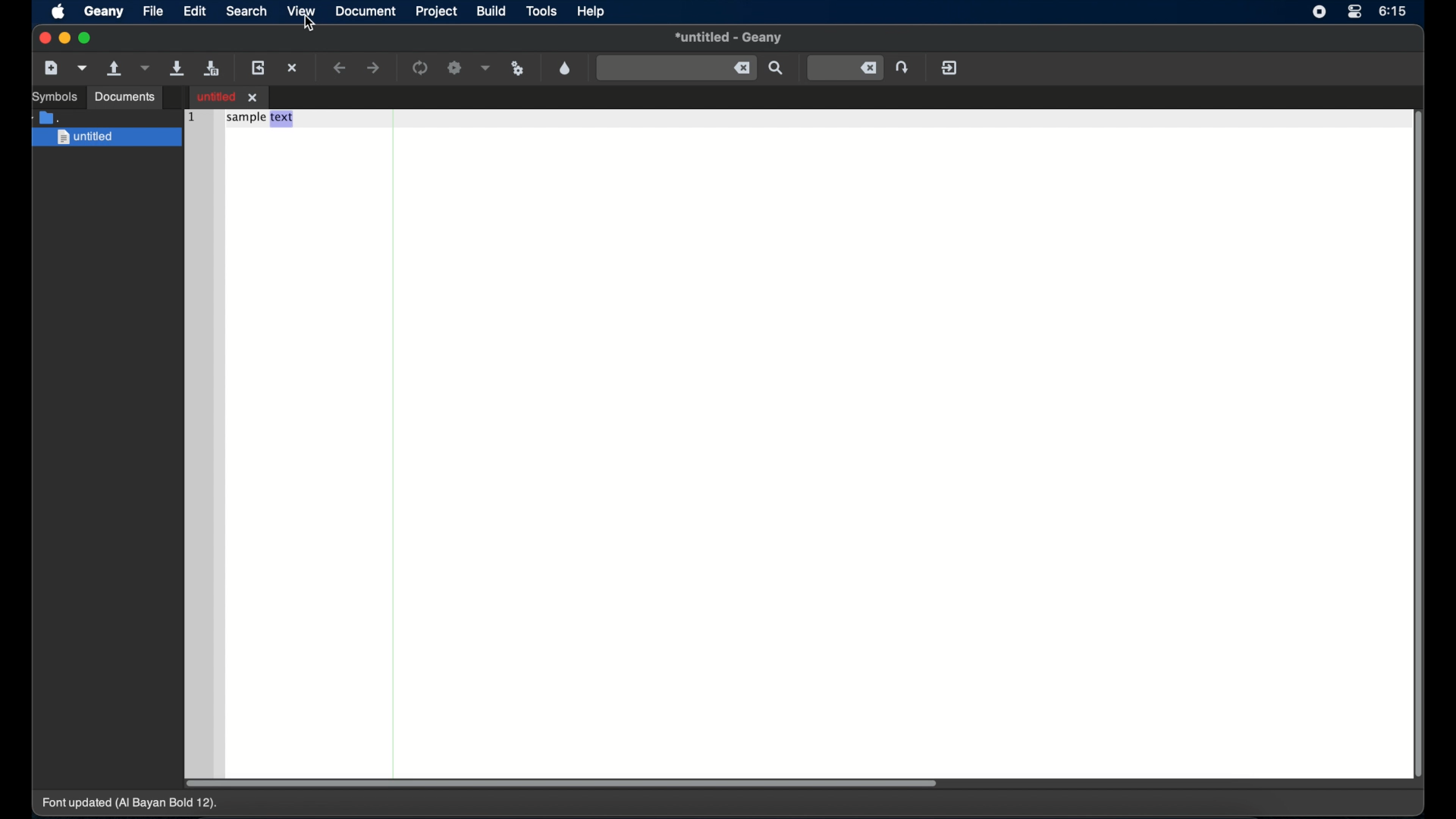 The image size is (1456, 819). Describe the element at coordinates (104, 12) in the screenshot. I see `geany` at that location.